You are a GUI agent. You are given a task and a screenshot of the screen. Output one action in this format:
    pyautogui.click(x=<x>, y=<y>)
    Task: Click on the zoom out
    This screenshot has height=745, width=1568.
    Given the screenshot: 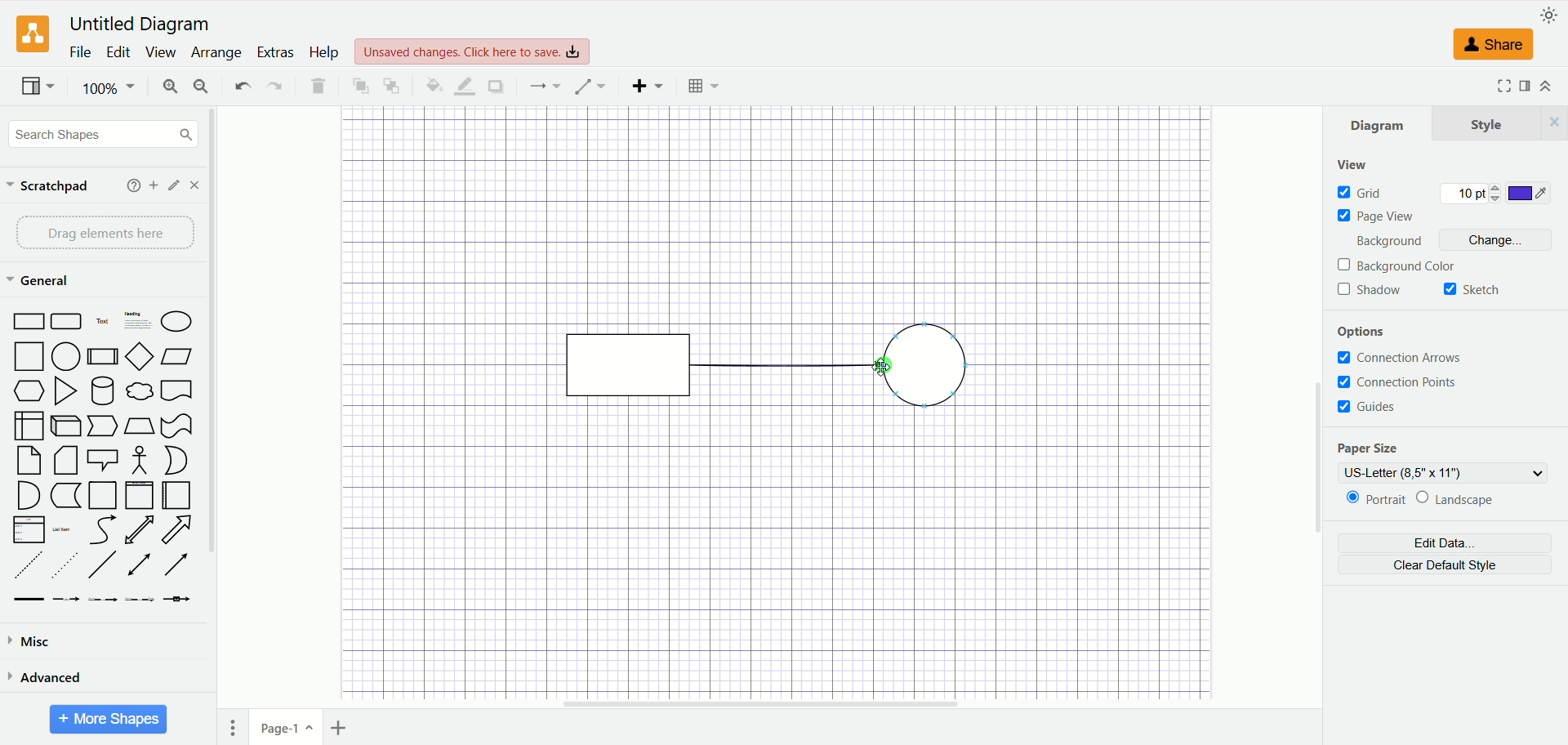 What is the action you would take?
    pyautogui.click(x=204, y=86)
    